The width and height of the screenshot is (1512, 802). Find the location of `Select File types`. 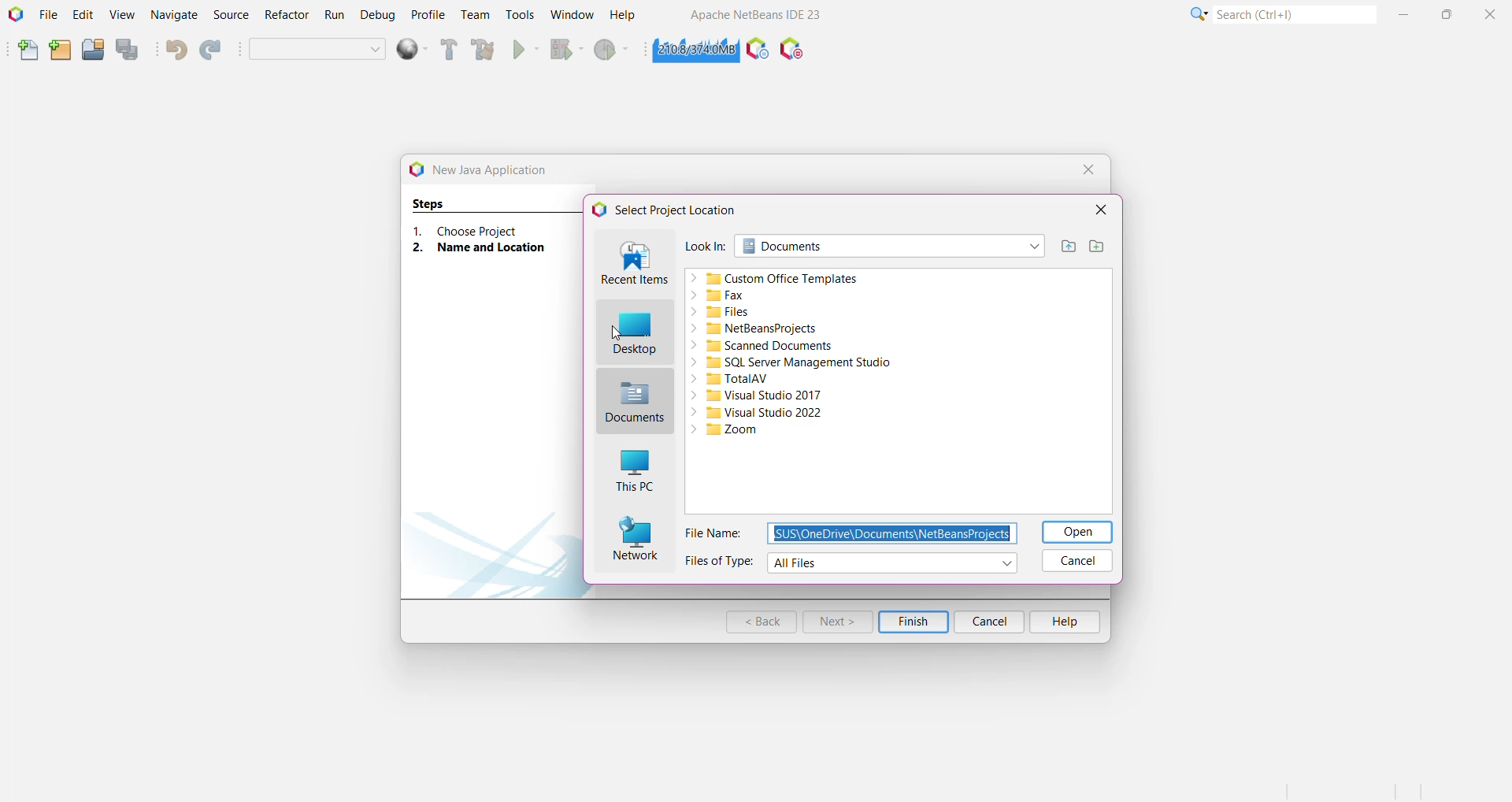

Select File types is located at coordinates (894, 563).